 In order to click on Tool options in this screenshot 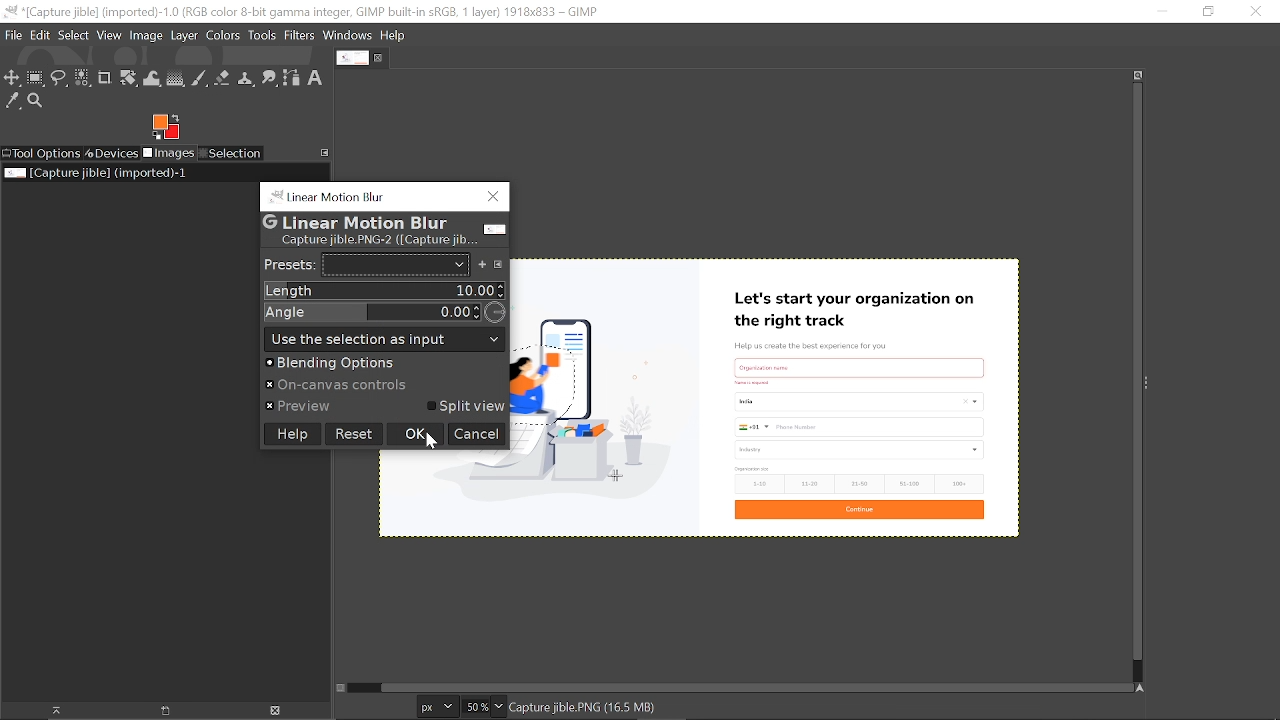, I will do `click(41, 154)`.